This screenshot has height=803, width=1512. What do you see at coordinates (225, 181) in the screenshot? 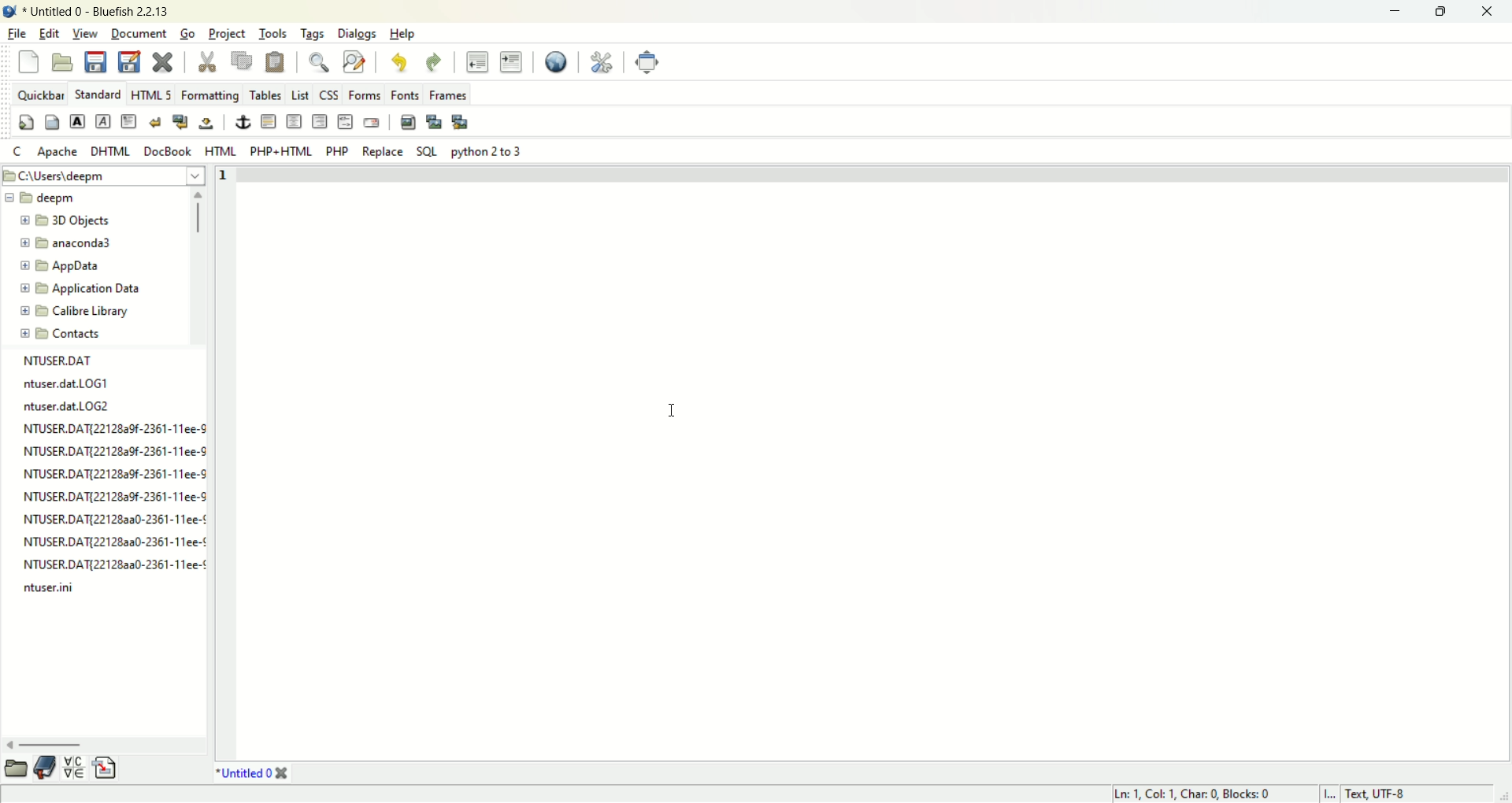
I see `Number` at bounding box center [225, 181].